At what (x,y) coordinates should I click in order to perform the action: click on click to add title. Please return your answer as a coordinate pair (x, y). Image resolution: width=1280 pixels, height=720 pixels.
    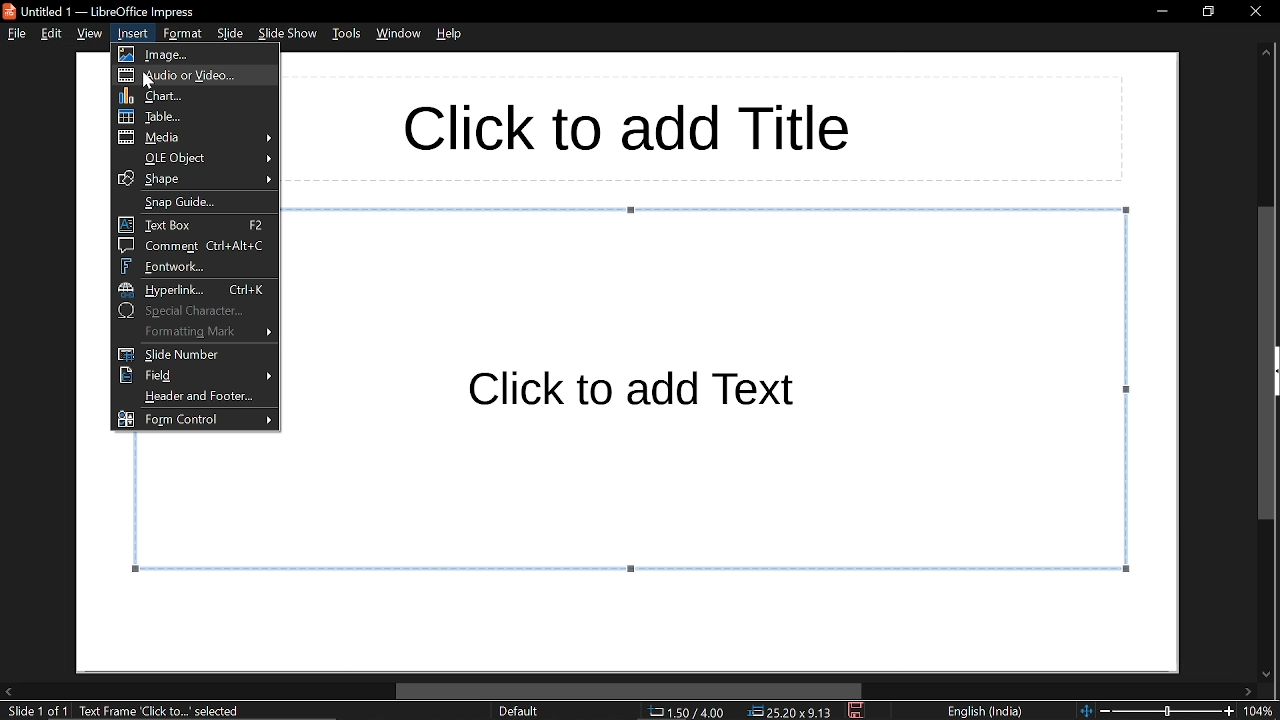
    Looking at the image, I should click on (623, 126).